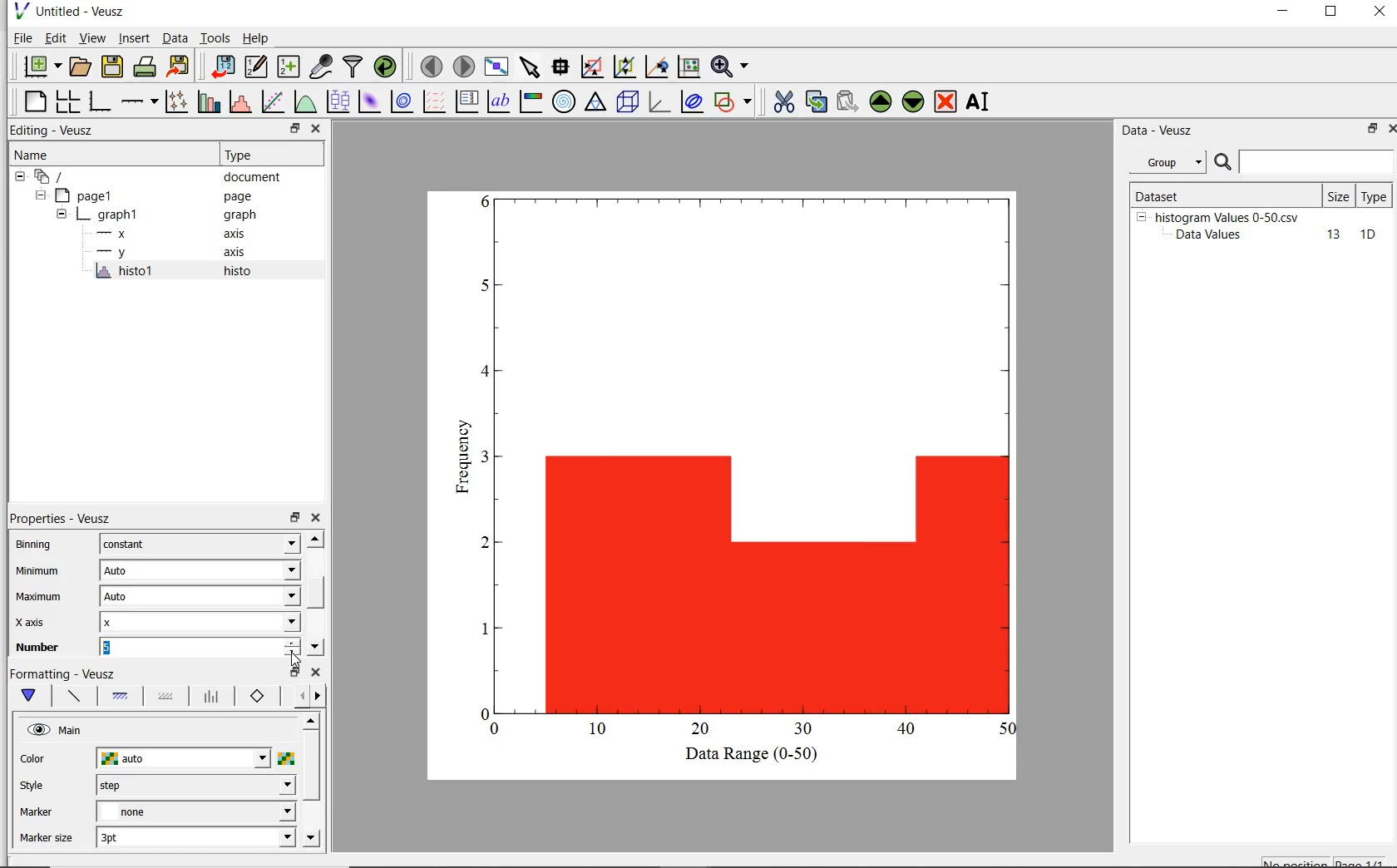 This screenshot has width=1397, height=868. I want to click on size, so click(1338, 196).